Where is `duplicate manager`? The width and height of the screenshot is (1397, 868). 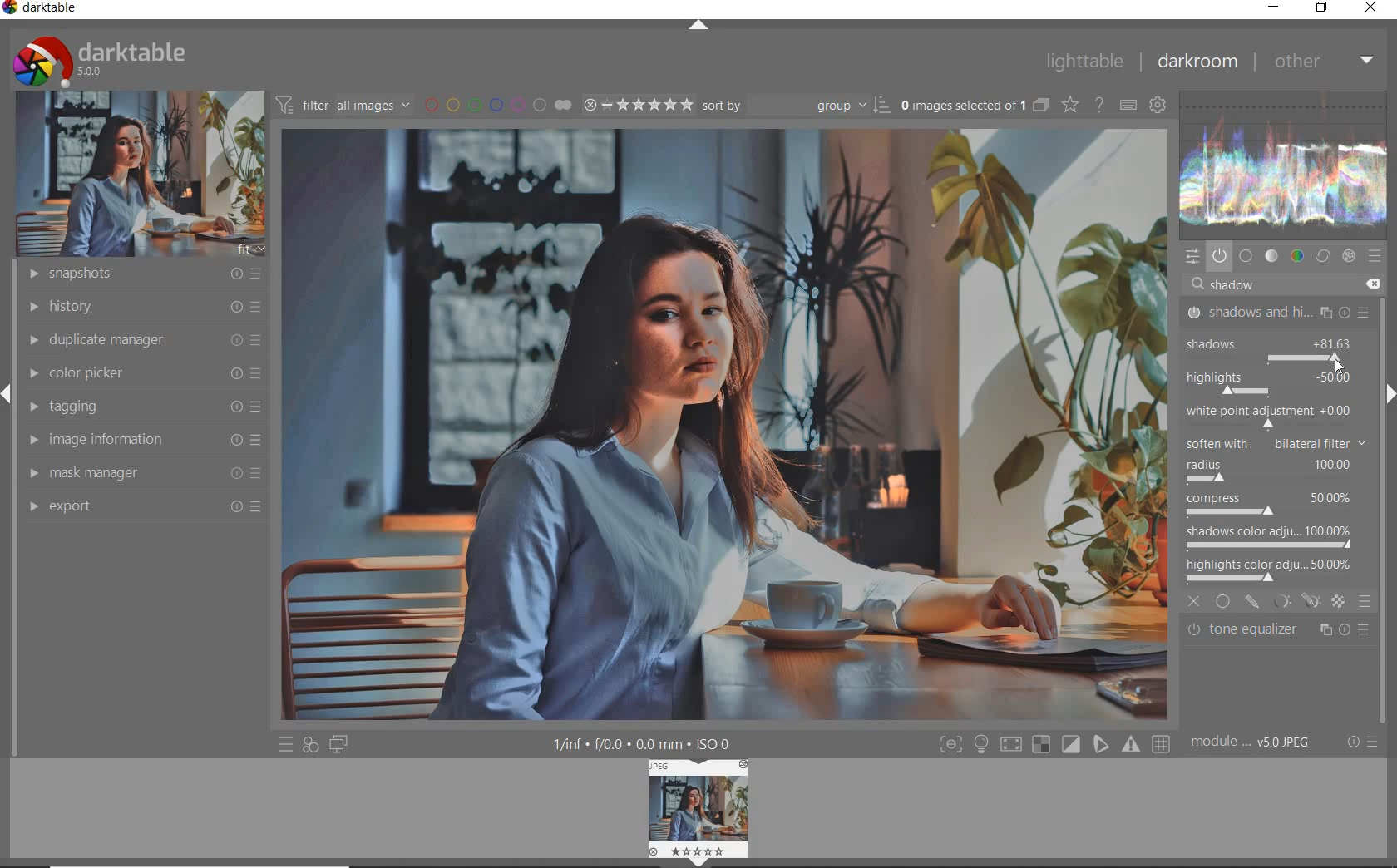
duplicate manager is located at coordinates (141, 340).